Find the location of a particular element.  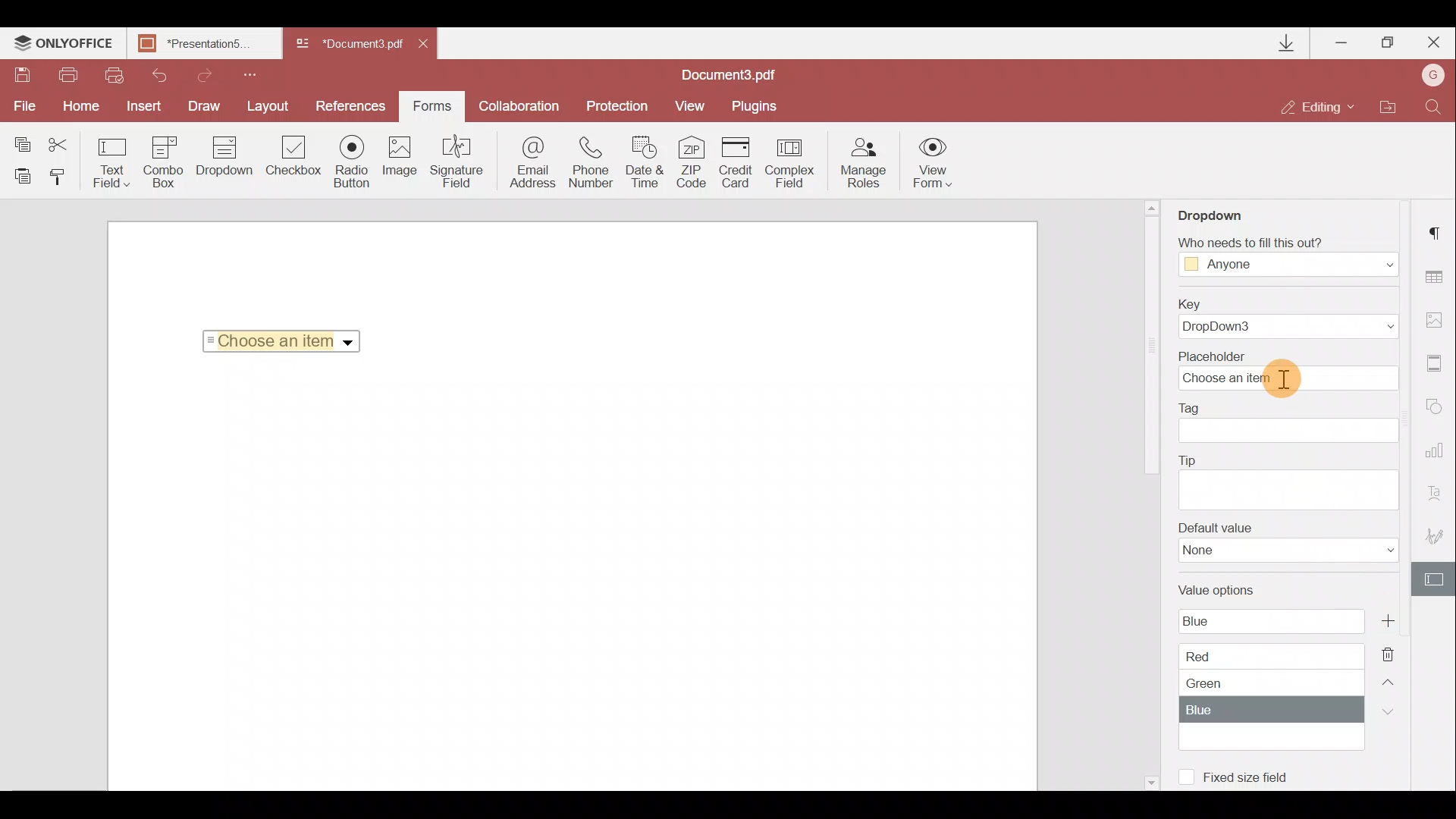

Text Art settings is located at coordinates (1439, 491).